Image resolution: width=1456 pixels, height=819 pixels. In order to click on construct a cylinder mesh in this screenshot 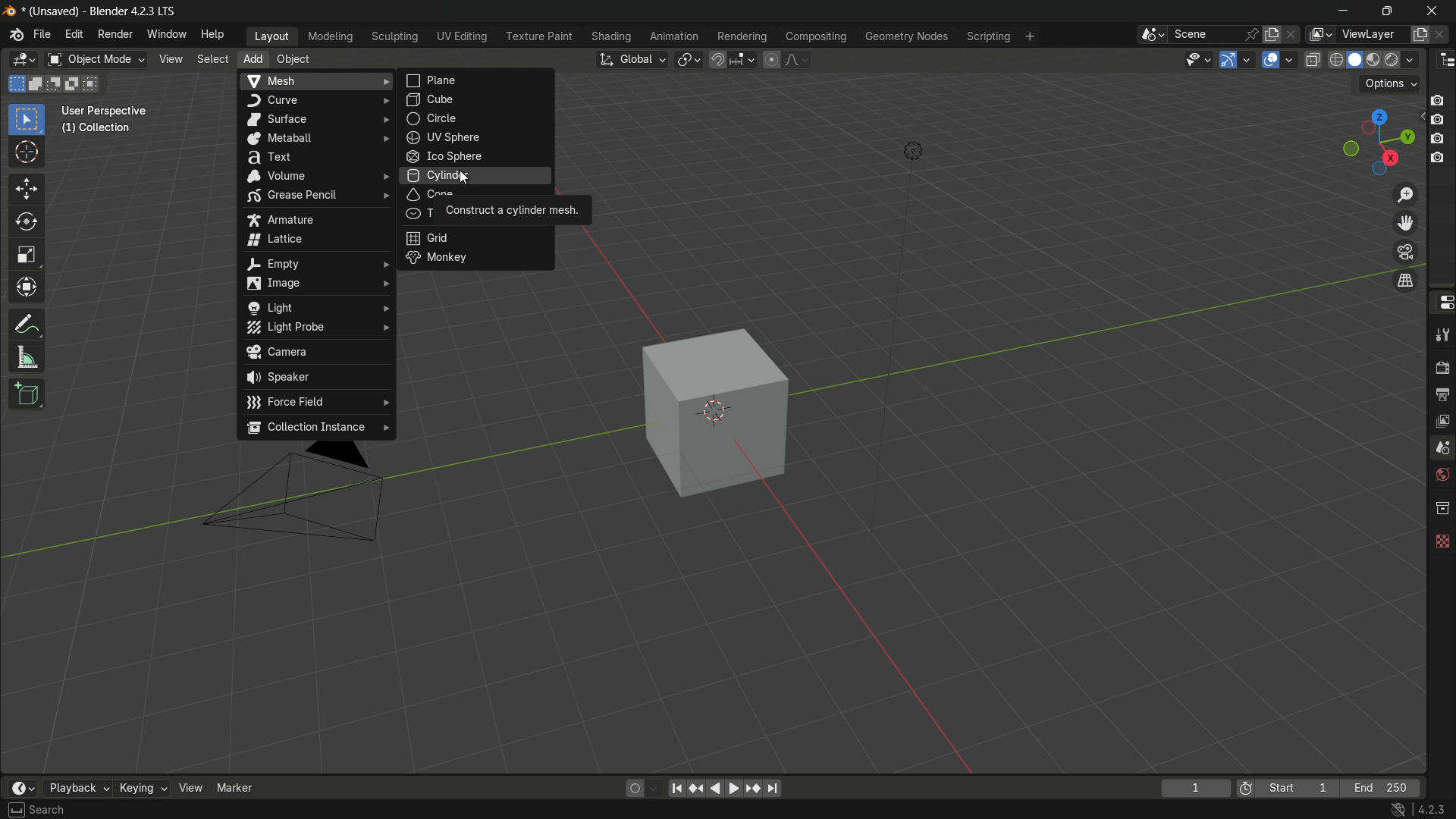, I will do `click(516, 212)`.